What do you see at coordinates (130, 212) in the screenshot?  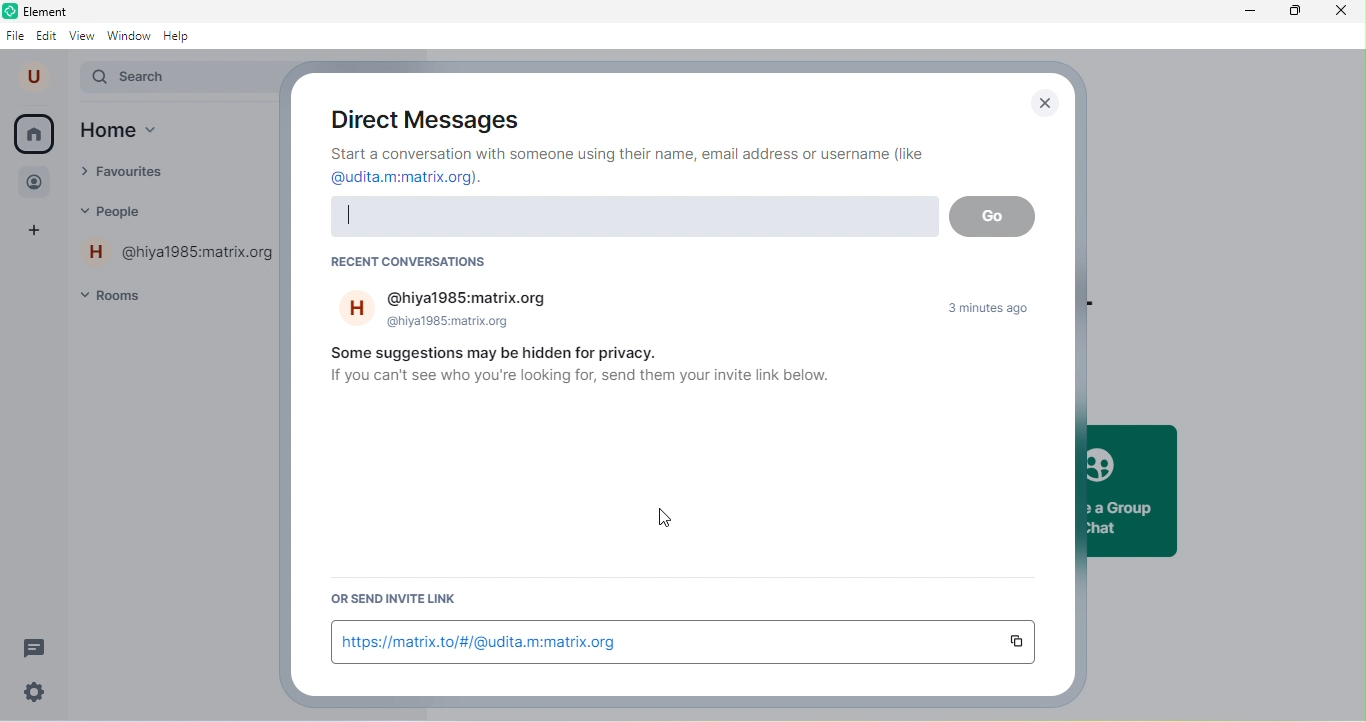 I see `people` at bounding box center [130, 212].